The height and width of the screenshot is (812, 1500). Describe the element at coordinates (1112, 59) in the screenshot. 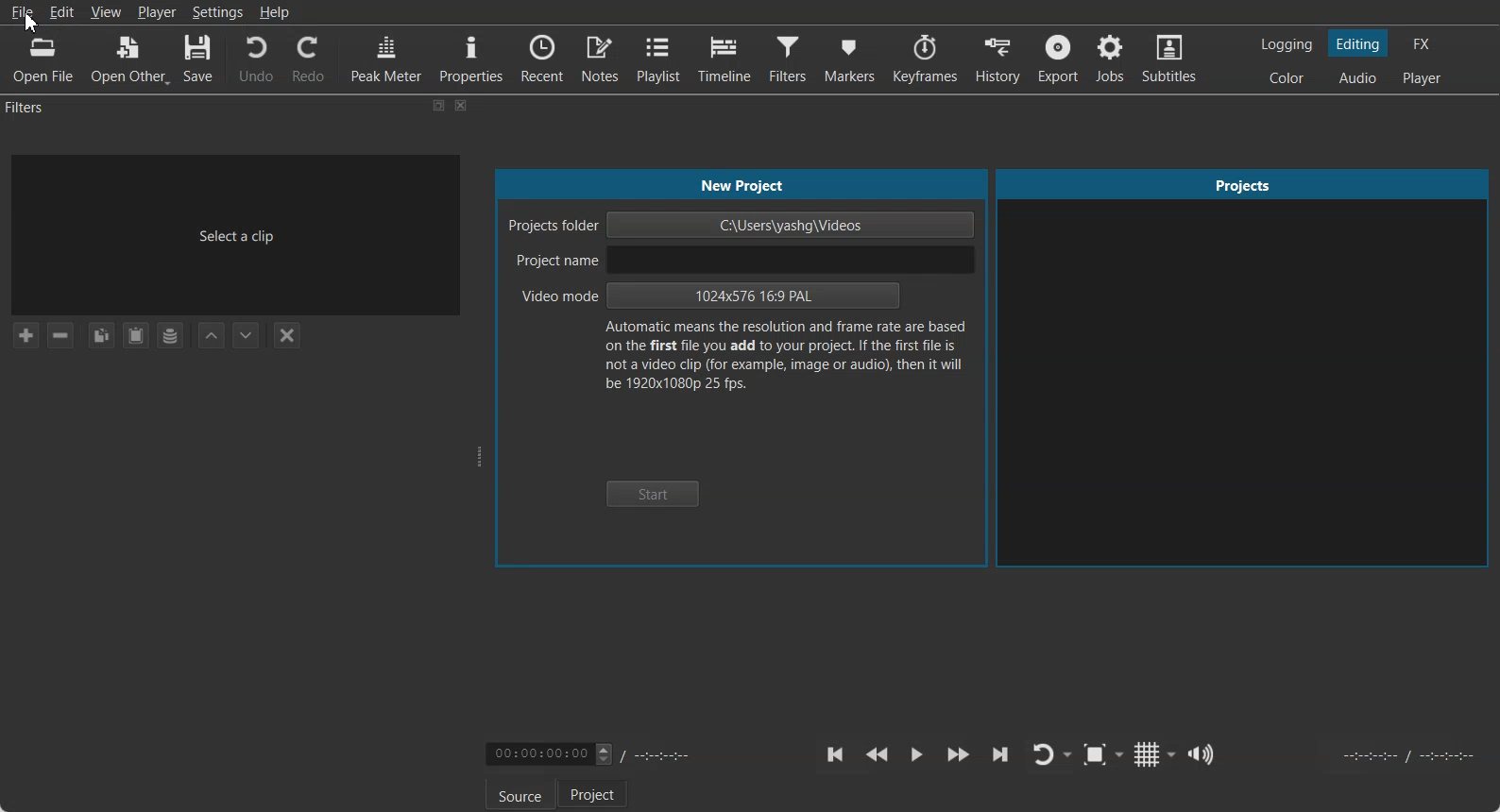

I see `Jobs` at that location.